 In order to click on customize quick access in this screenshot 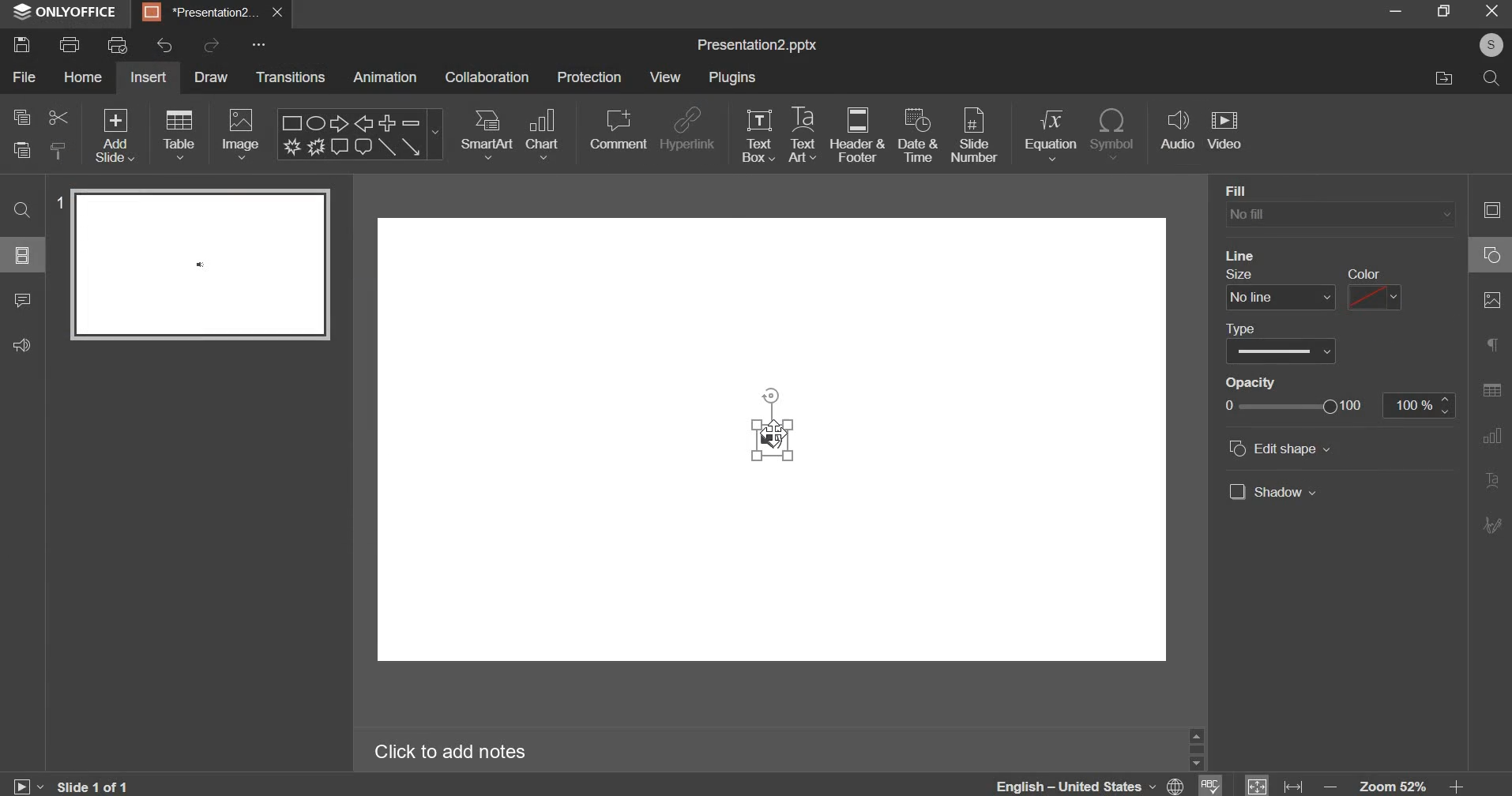, I will do `click(257, 44)`.